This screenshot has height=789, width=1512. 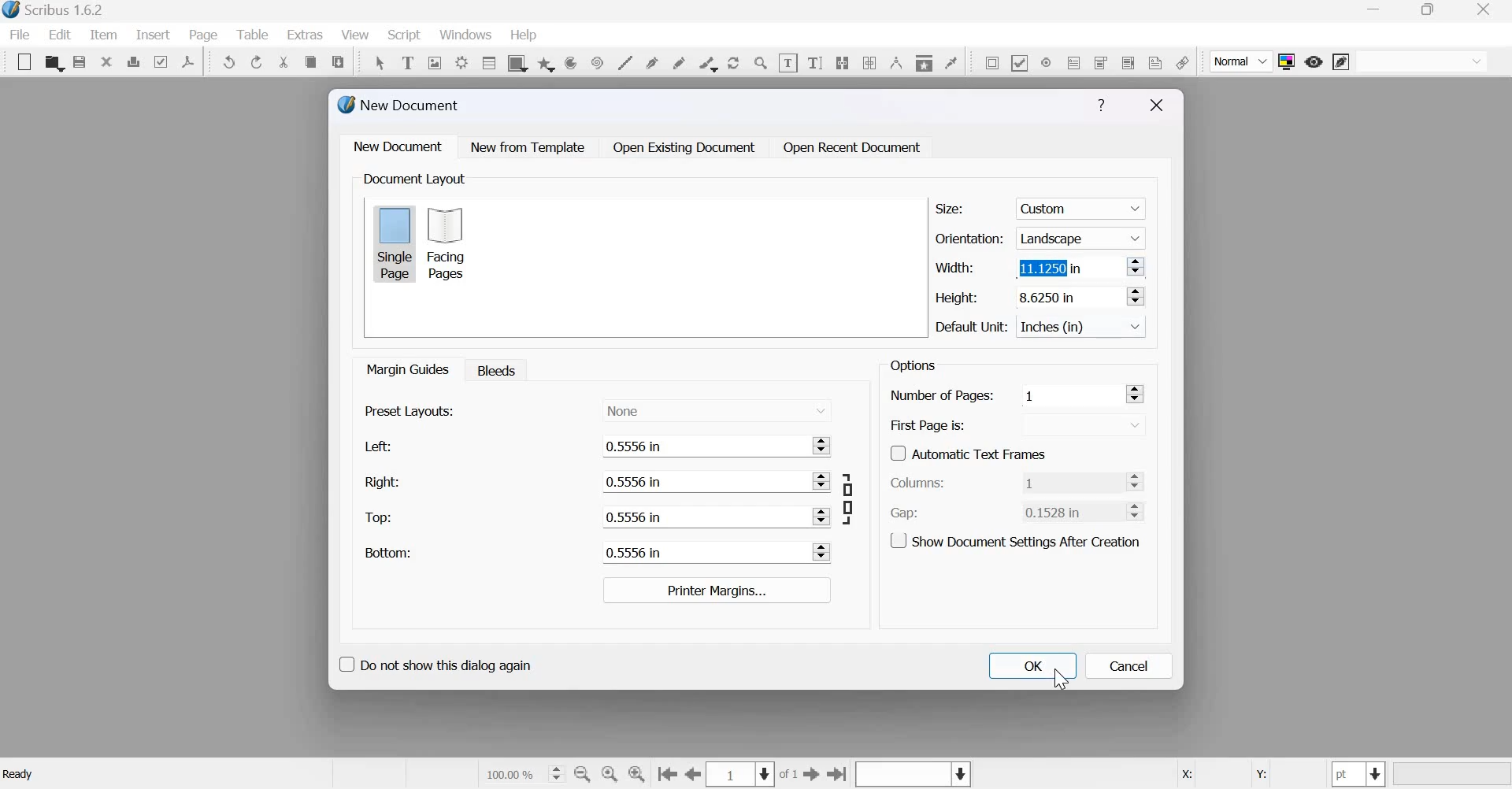 What do you see at coordinates (815, 61) in the screenshot?
I see `Edit text with story editor` at bounding box center [815, 61].